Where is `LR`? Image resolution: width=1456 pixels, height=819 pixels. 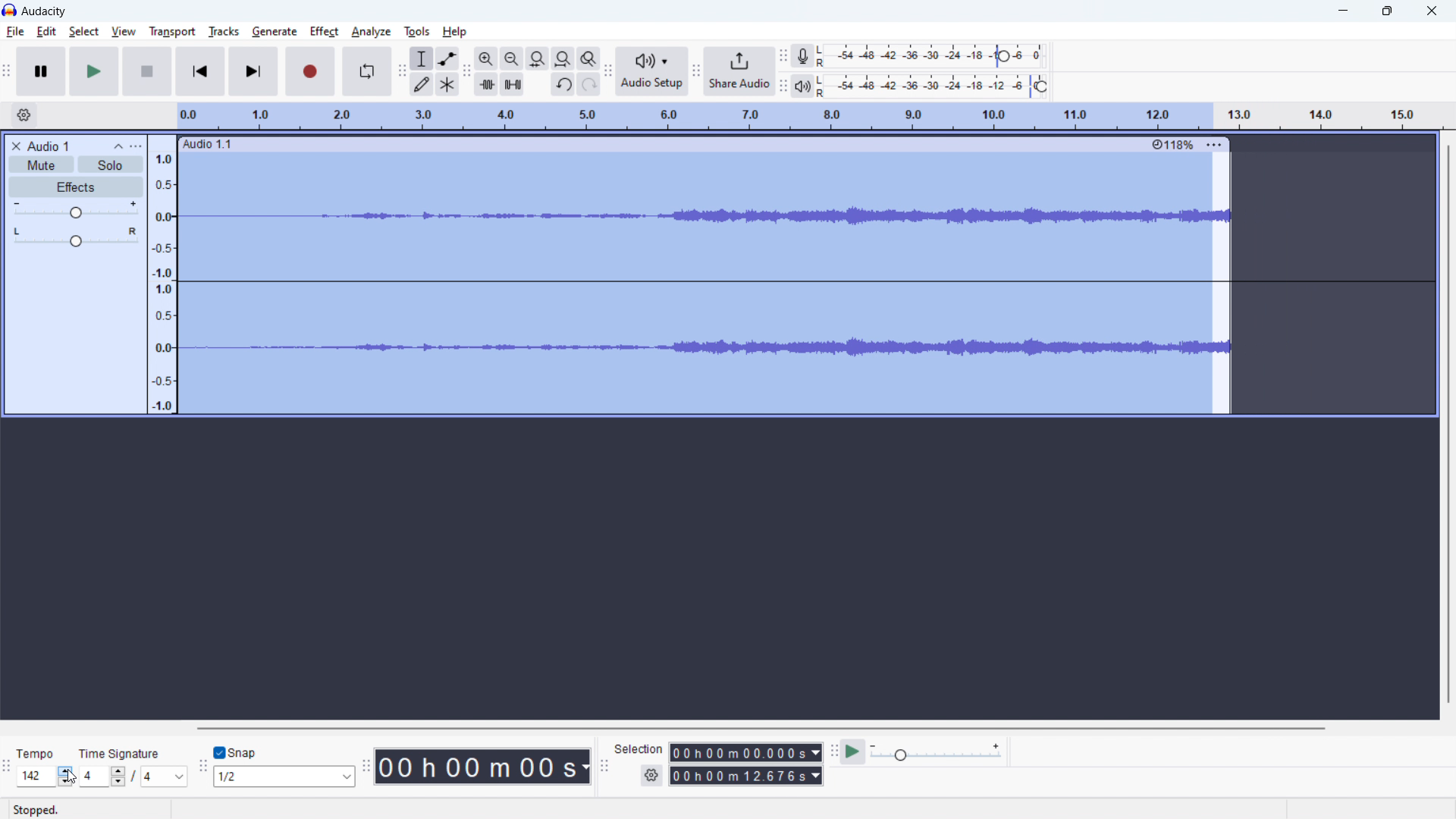
LR is located at coordinates (822, 83).